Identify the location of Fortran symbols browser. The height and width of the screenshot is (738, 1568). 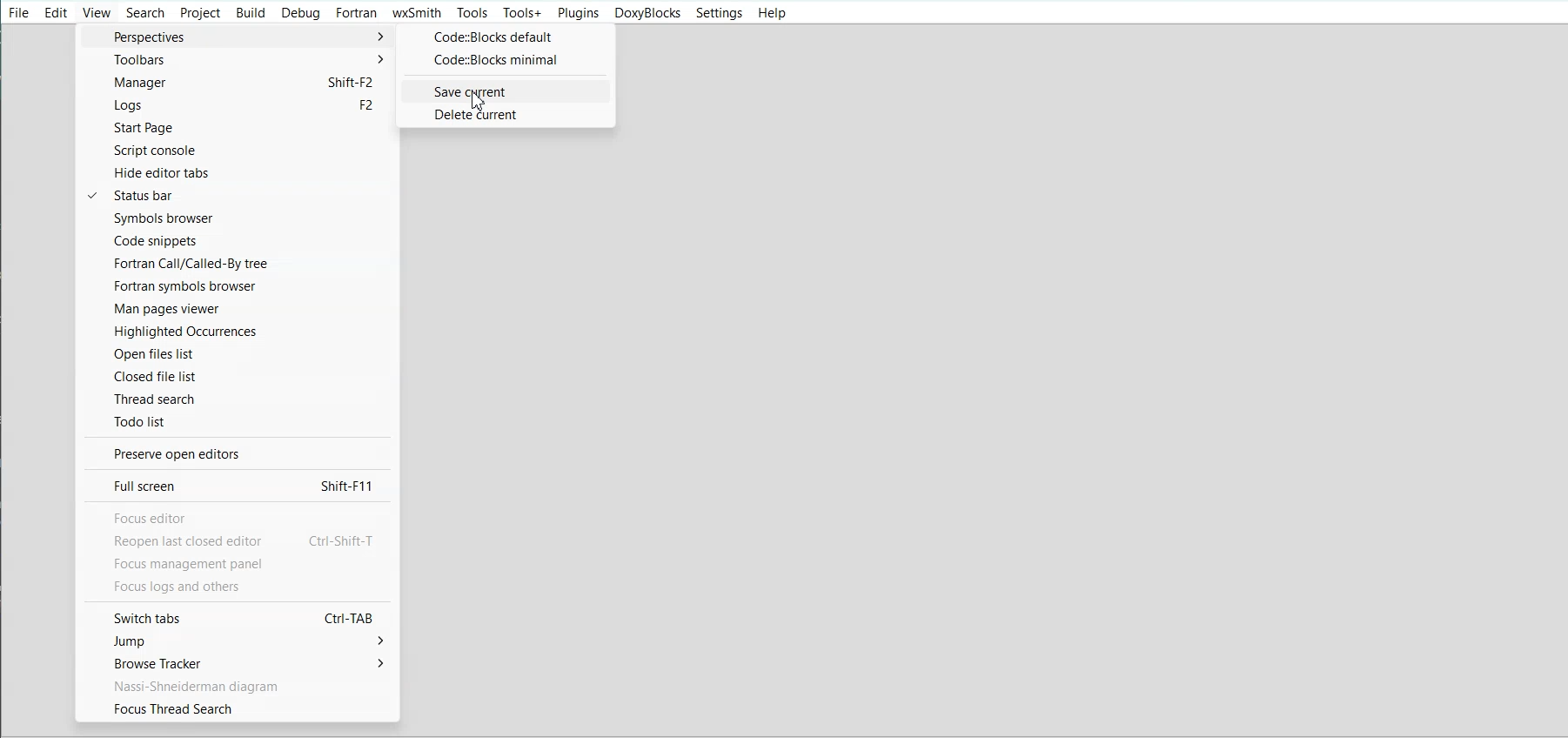
(237, 285).